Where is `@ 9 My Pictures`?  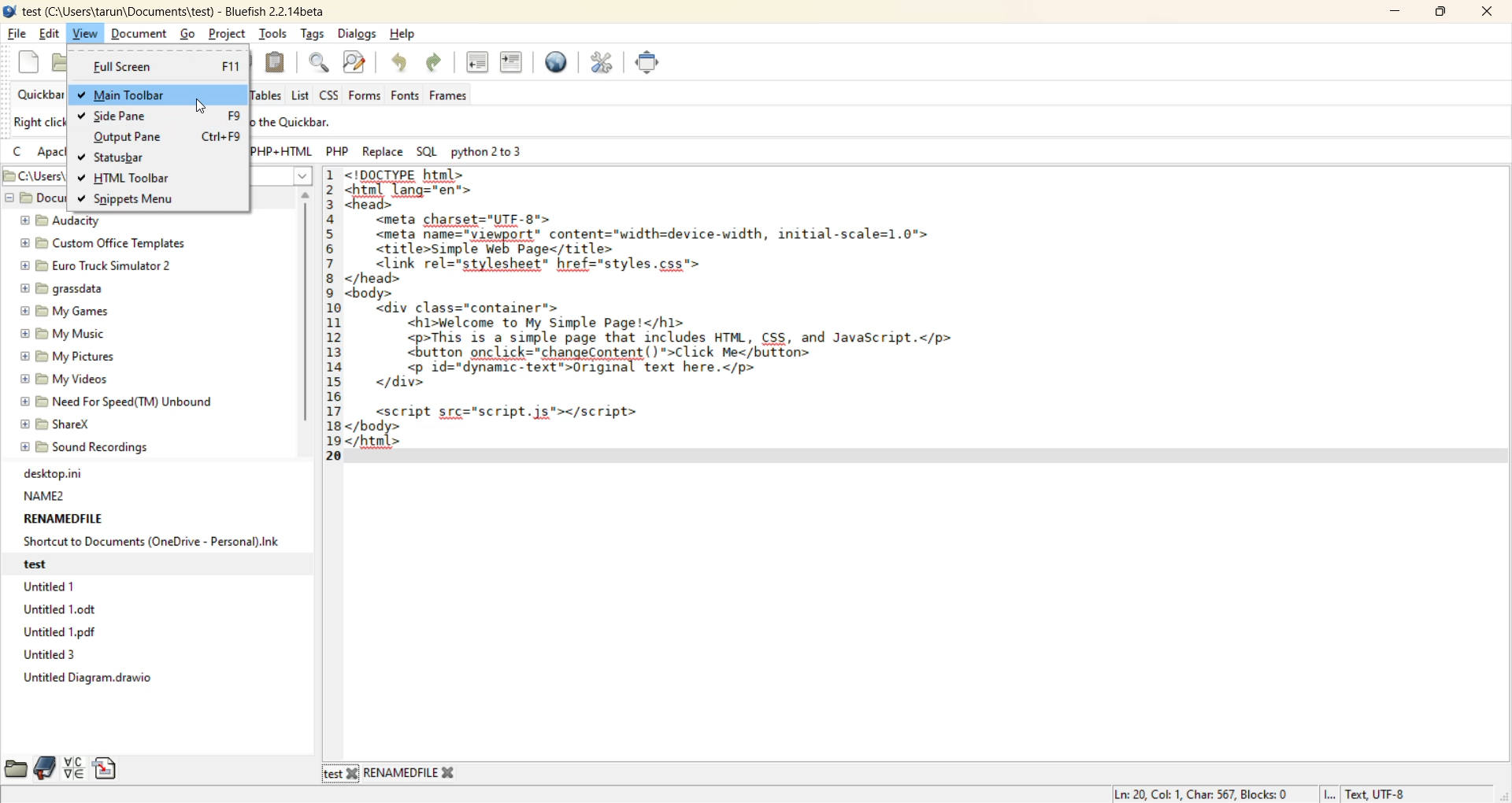
@ 9 My Pictures is located at coordinates (64, 357).